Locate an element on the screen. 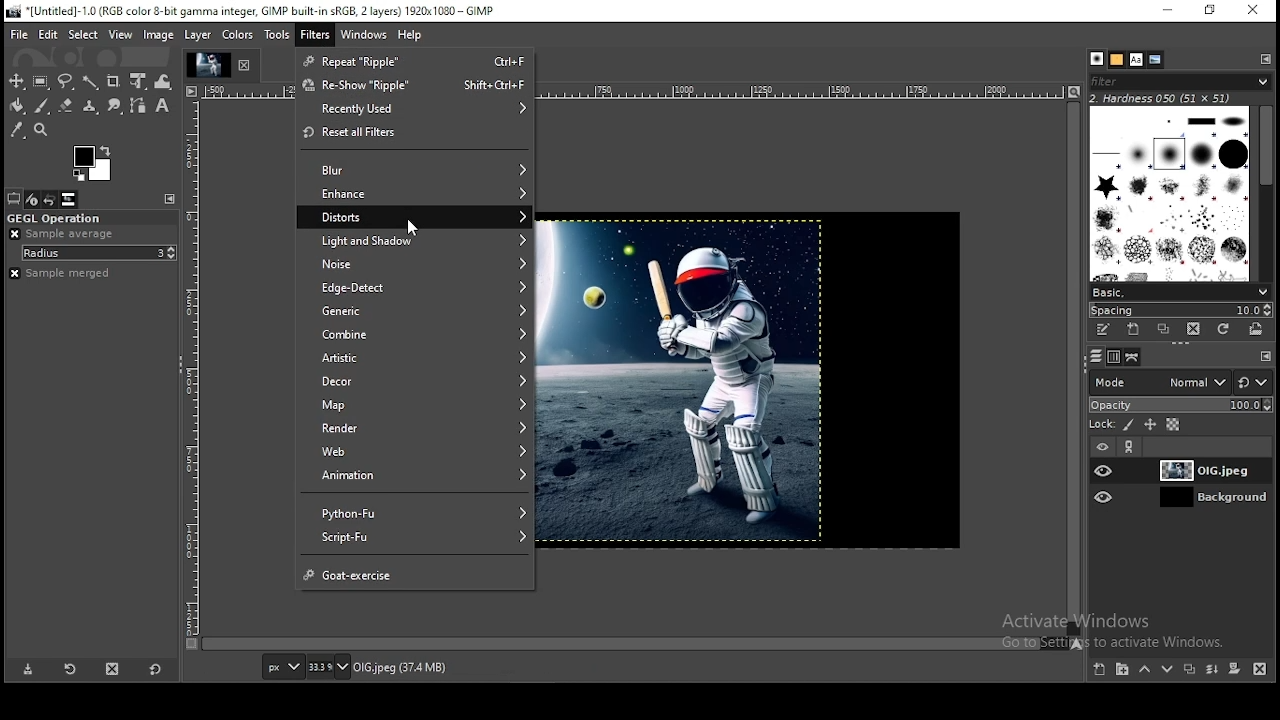 The width and height of the screenshot is (1280, 720). merge this layer is located at coordinates (1213, 670).